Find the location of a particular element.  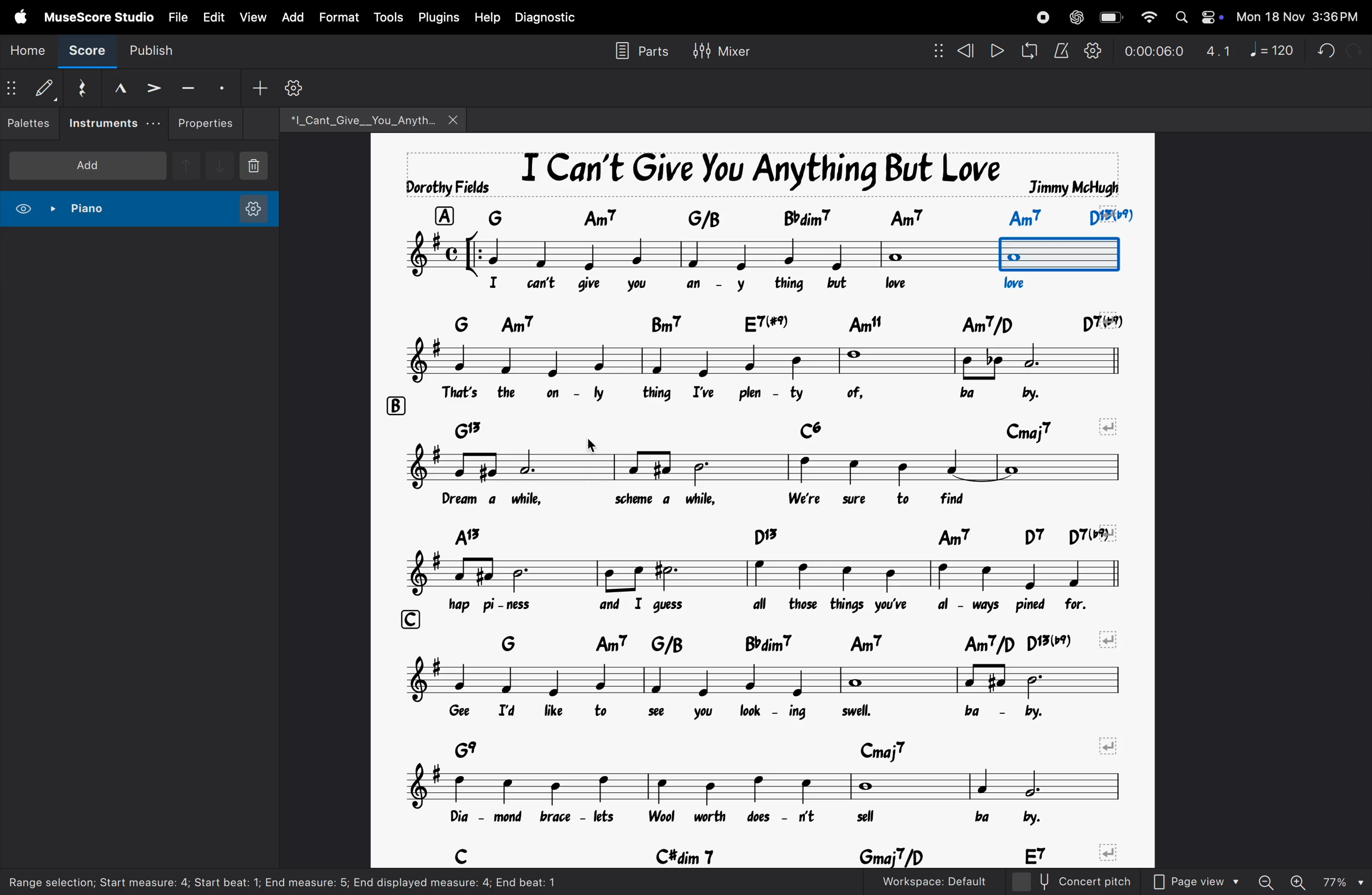

note order 3 is located at coordinates (1060, 254).